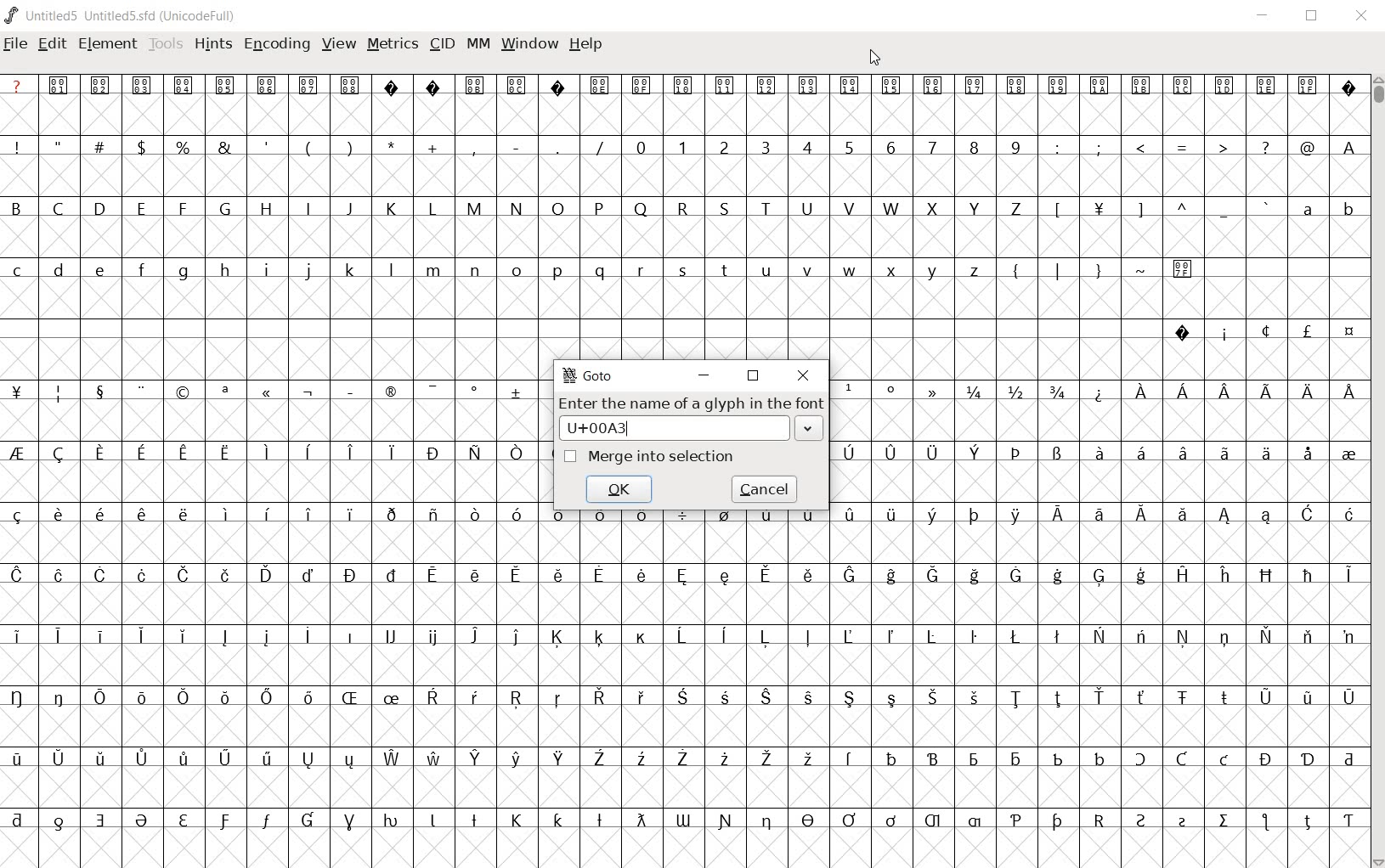 The height and width of the screenshot is (868, 1385). I want to click on Symbol, so click(891, 392).